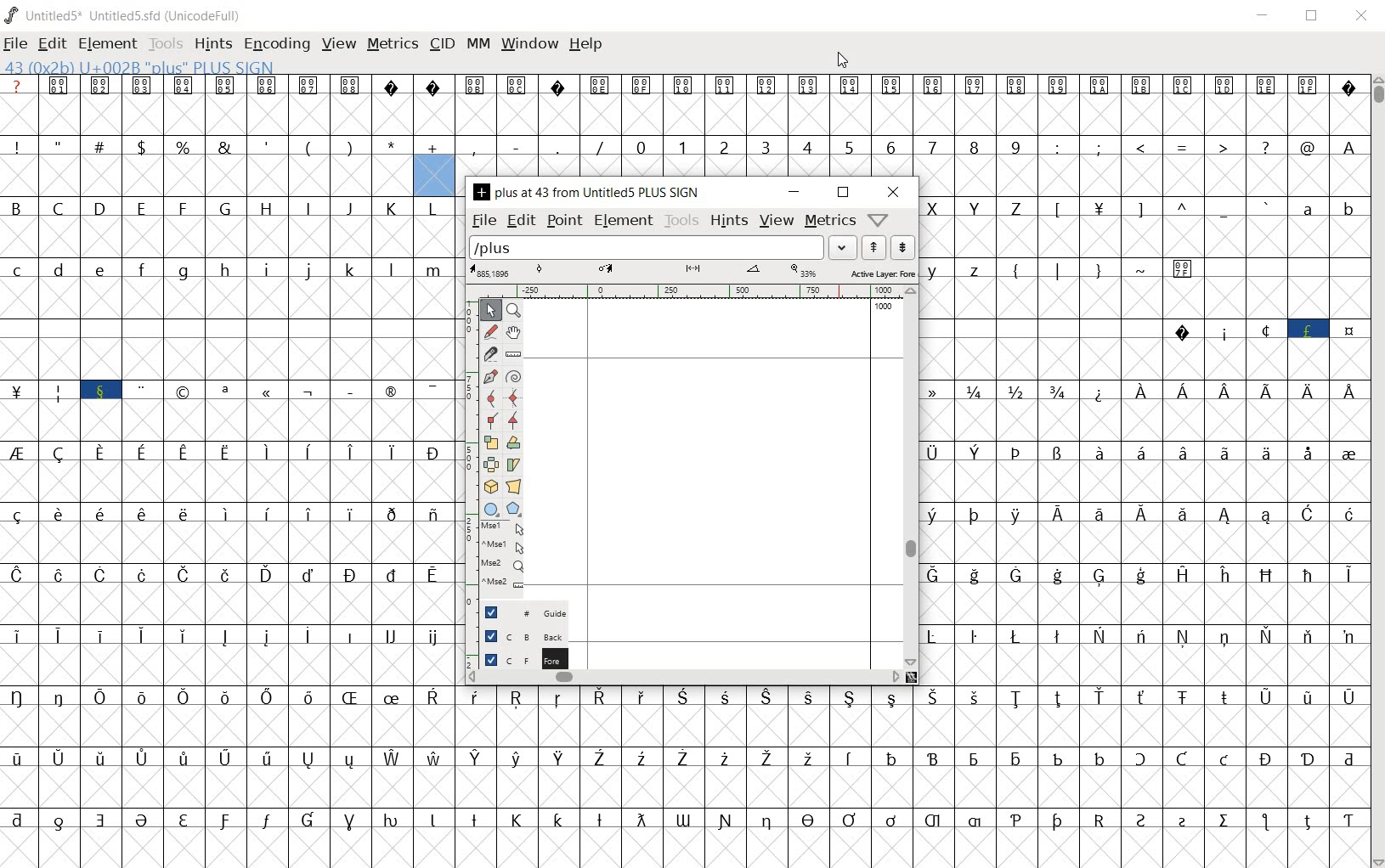  What do you see at coordinates (682, 293) in the screenshot?
I see `ruler` at bounding box center [682, 293].